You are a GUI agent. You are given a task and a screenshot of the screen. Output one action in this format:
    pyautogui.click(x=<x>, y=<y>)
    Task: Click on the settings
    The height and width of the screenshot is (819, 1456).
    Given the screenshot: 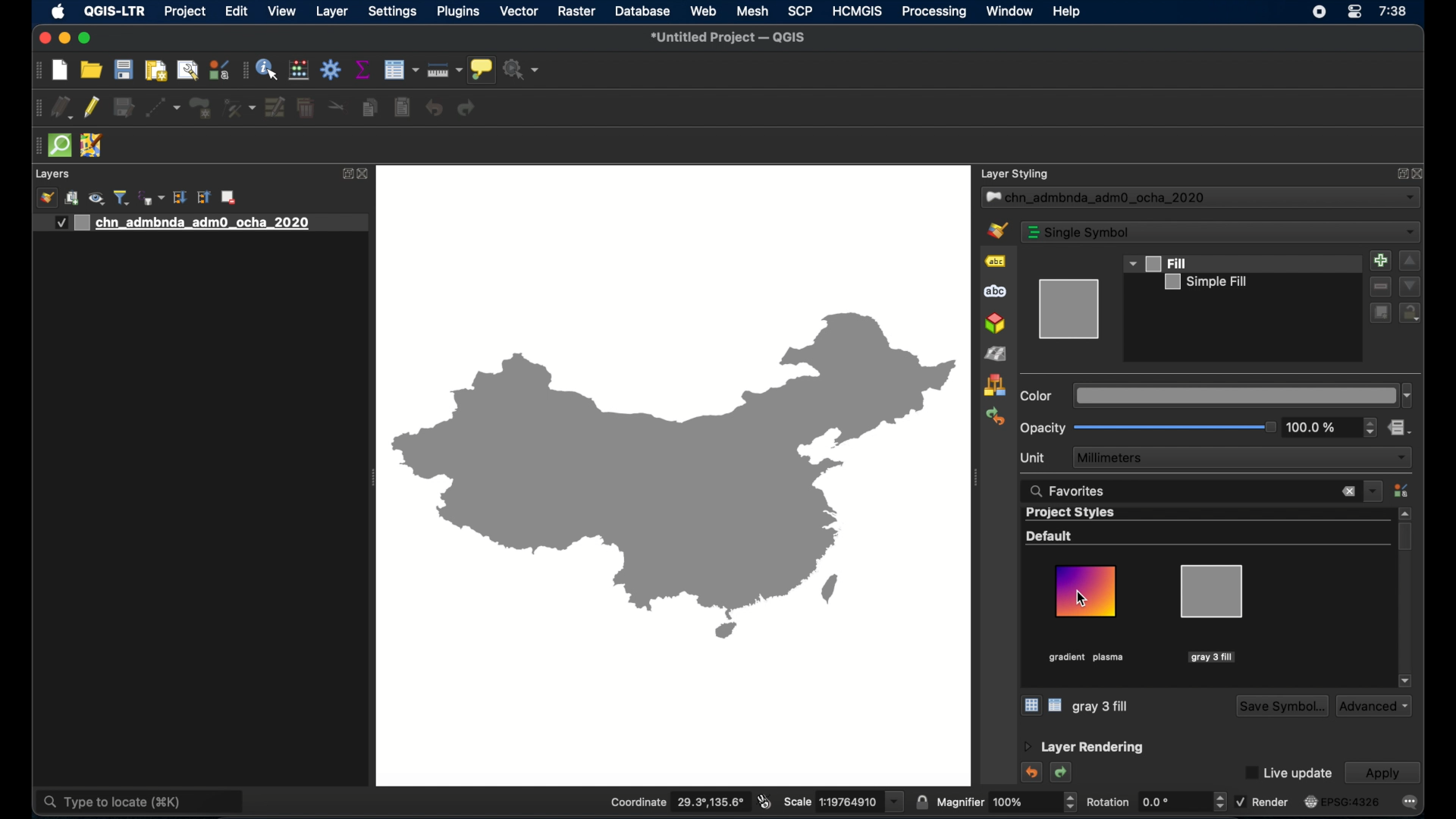 What is the action you would take?
    pyautogui.click(x=393, y=11)
    